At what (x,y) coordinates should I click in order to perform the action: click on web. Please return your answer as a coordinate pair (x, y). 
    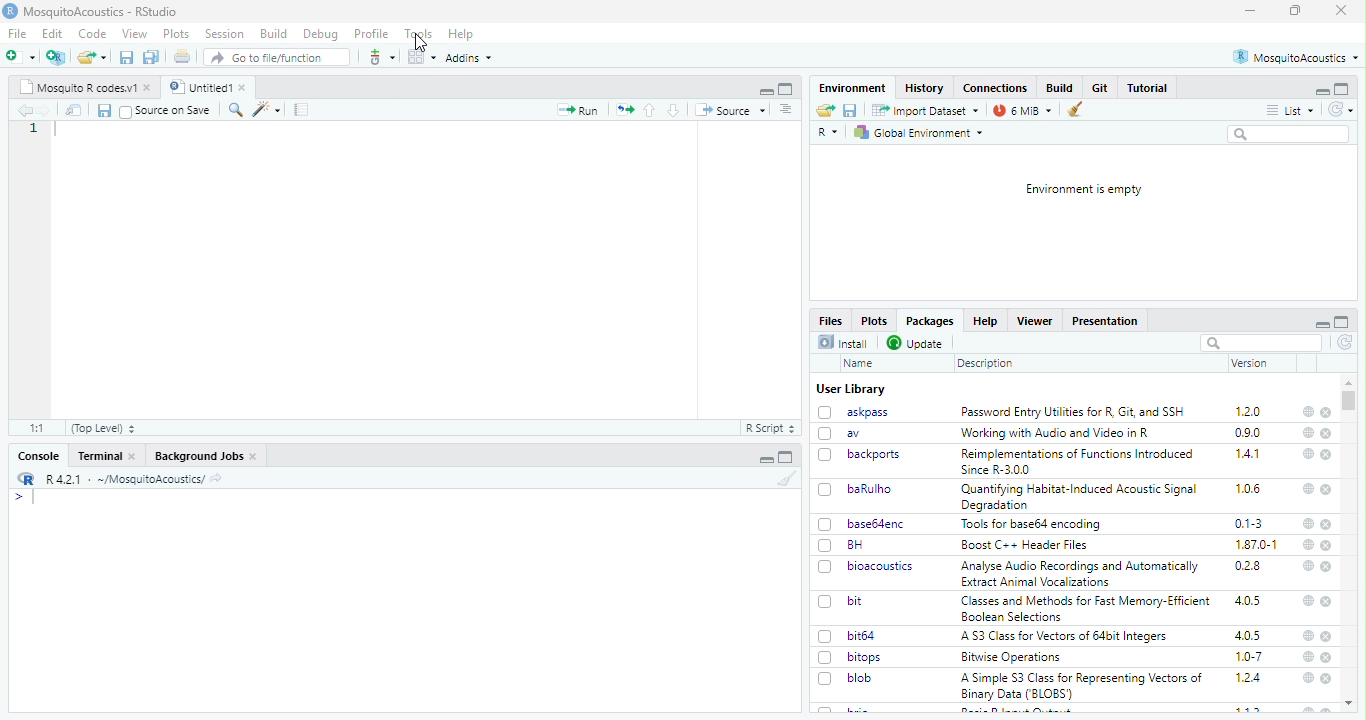
    Looking at the image, I should click on (1308, 453).